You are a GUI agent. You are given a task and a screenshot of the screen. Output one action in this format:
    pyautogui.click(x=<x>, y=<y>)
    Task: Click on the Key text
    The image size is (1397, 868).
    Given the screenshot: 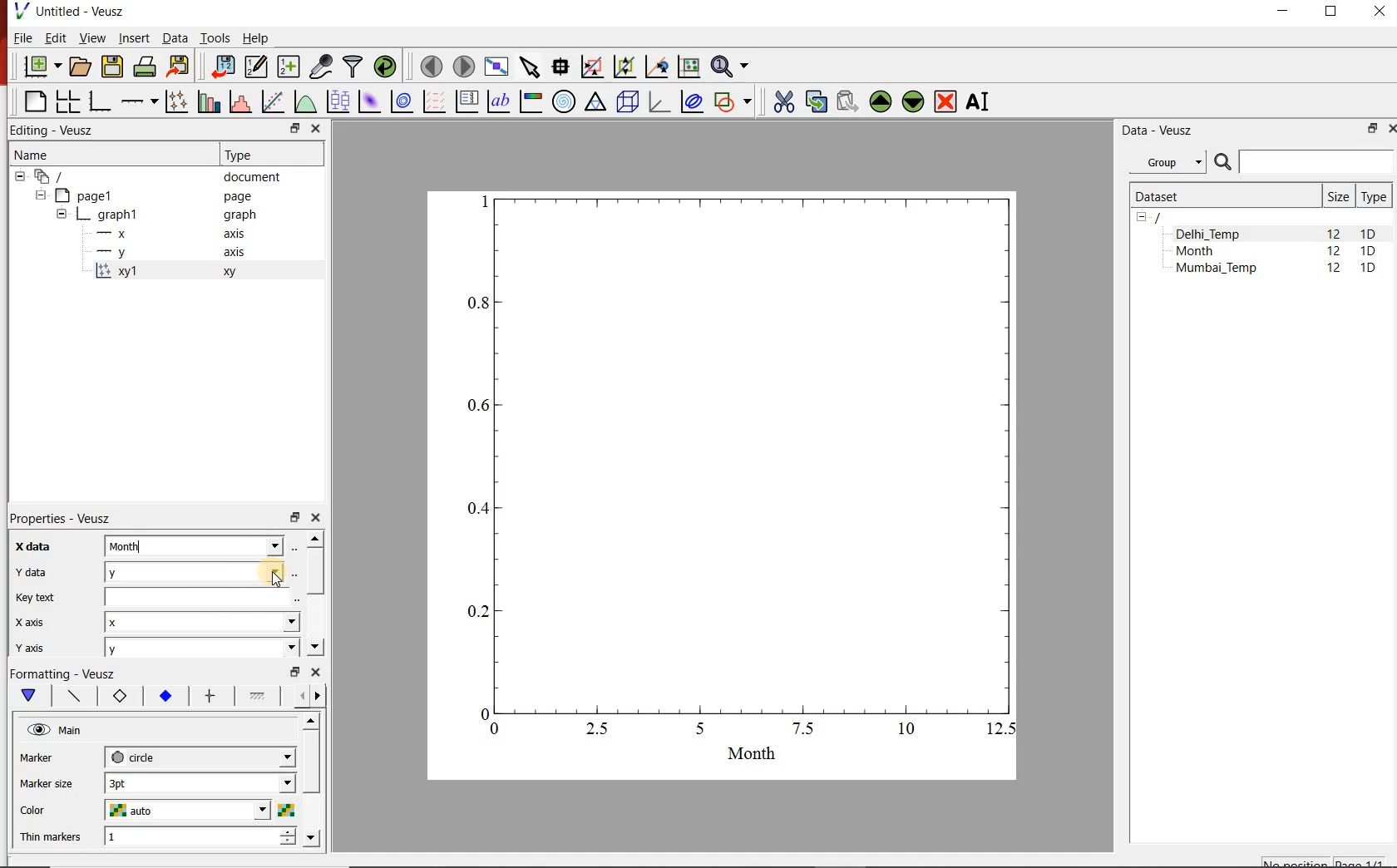 What is the action you would take?
    pyautogui.click(x=34, y=599)
    